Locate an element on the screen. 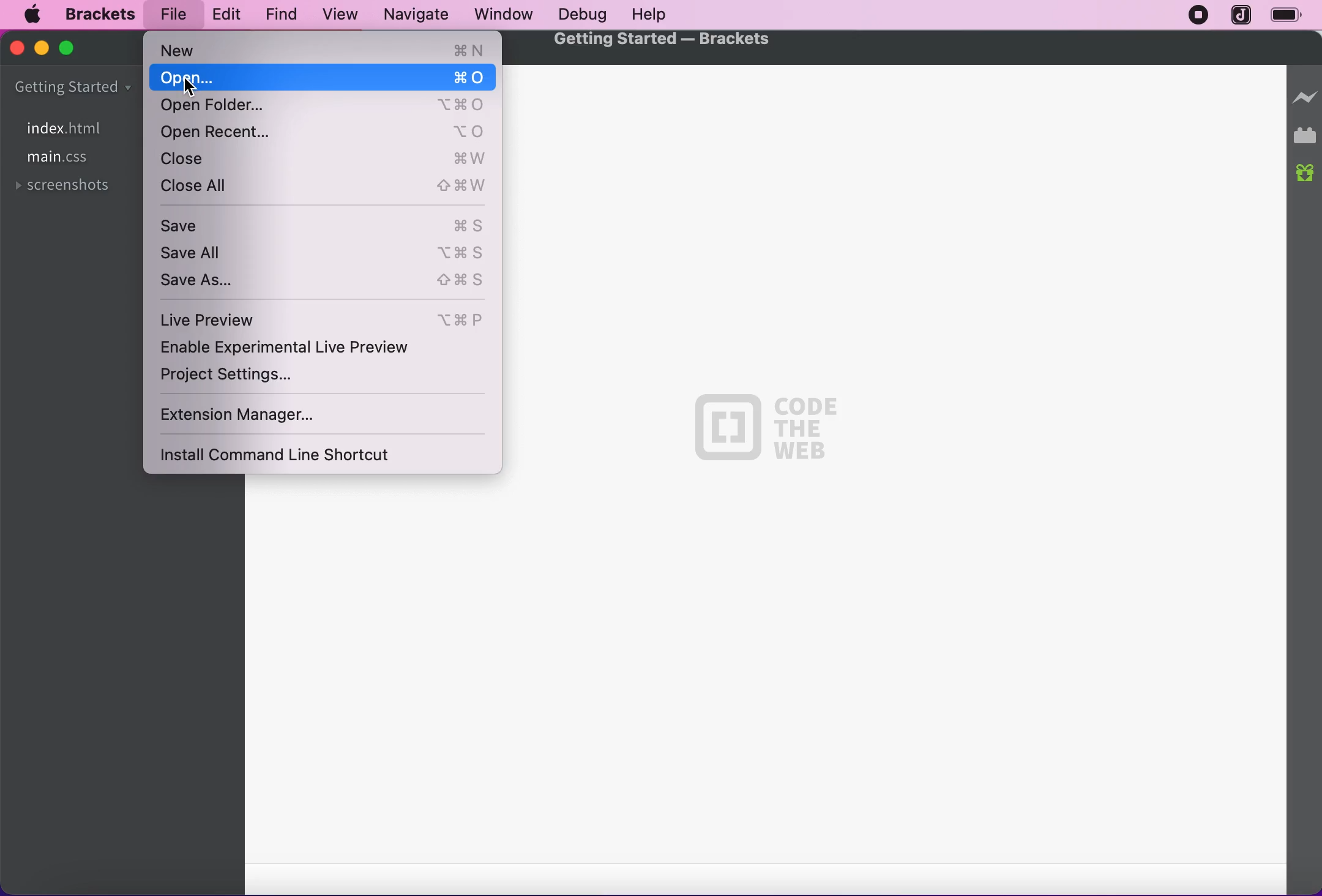  open recent is located at coordinates (326, 132).